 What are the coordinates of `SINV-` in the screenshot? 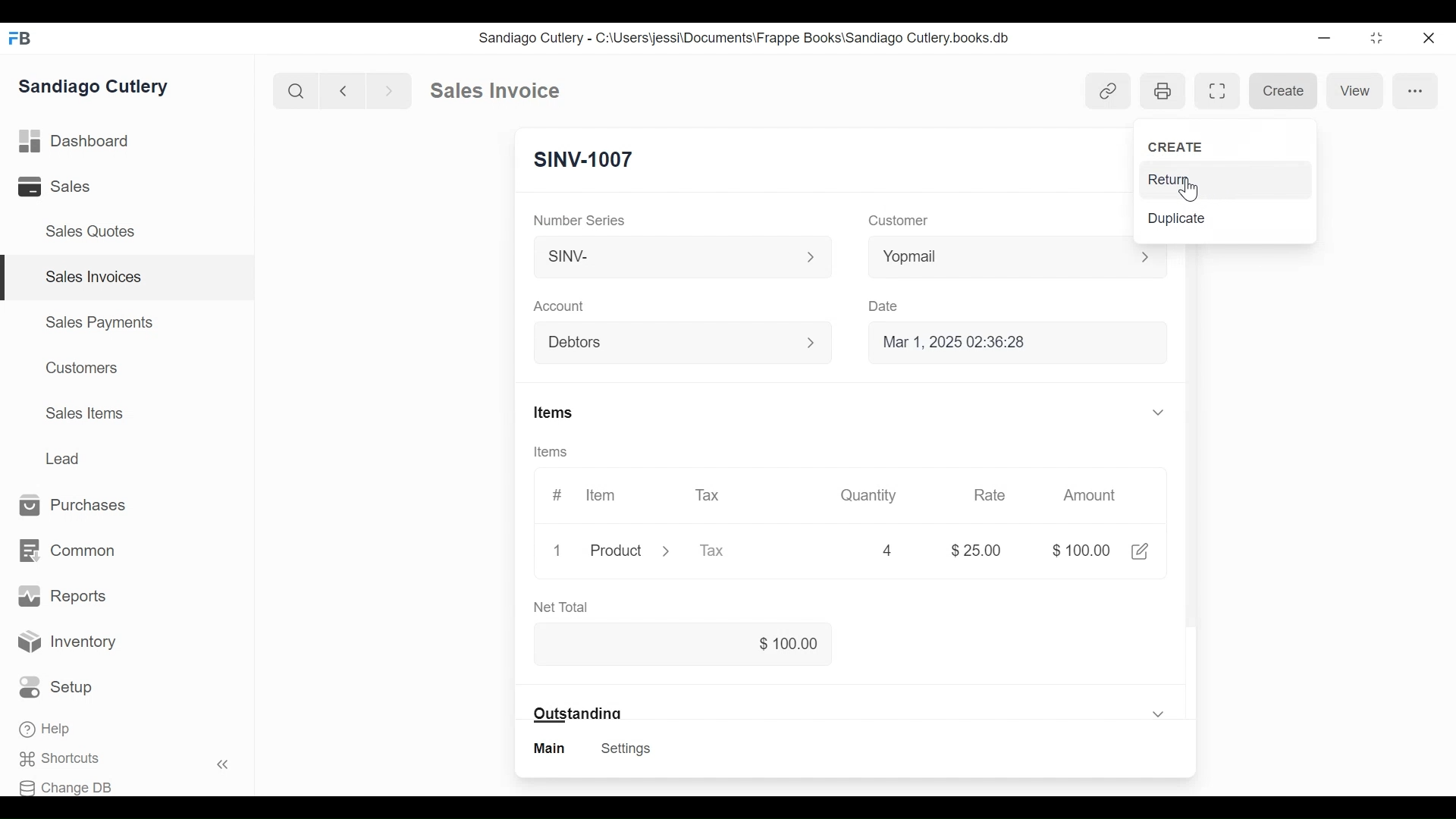 It's located at (676, 255).